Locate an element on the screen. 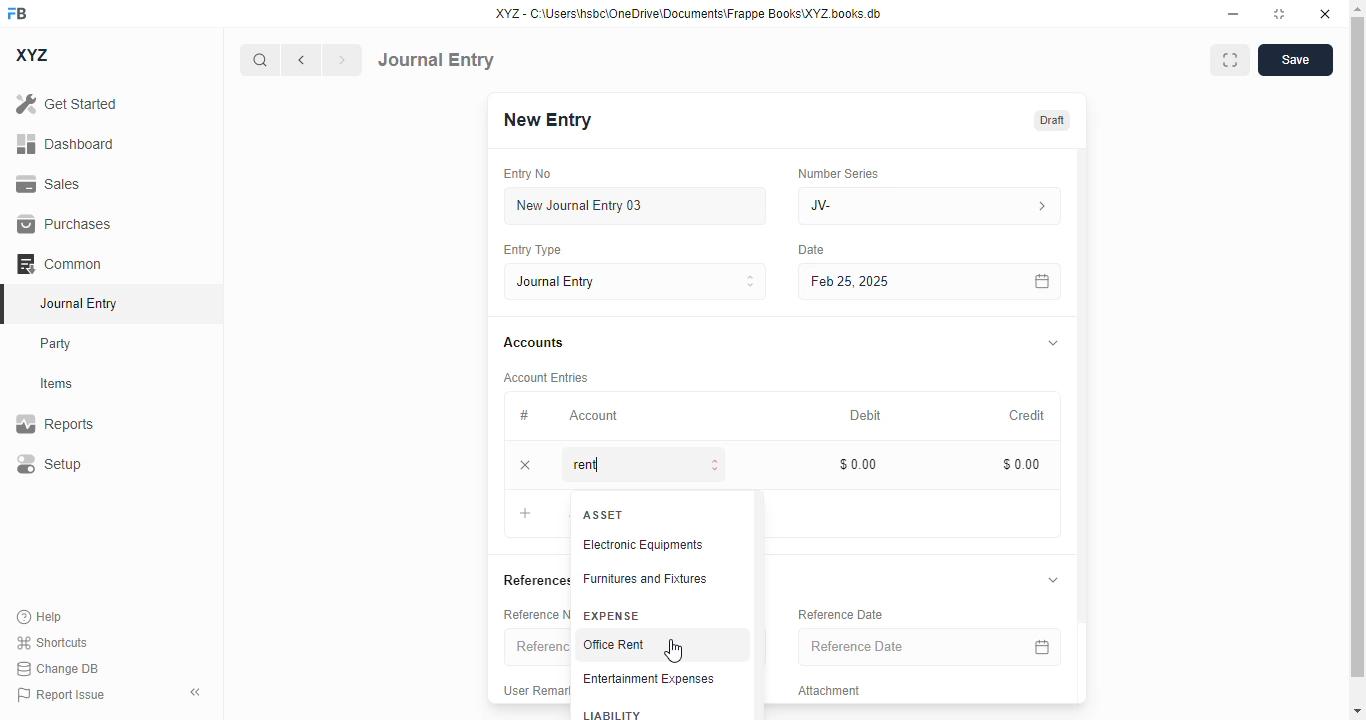  cursor is located at coordinates (674, 651).